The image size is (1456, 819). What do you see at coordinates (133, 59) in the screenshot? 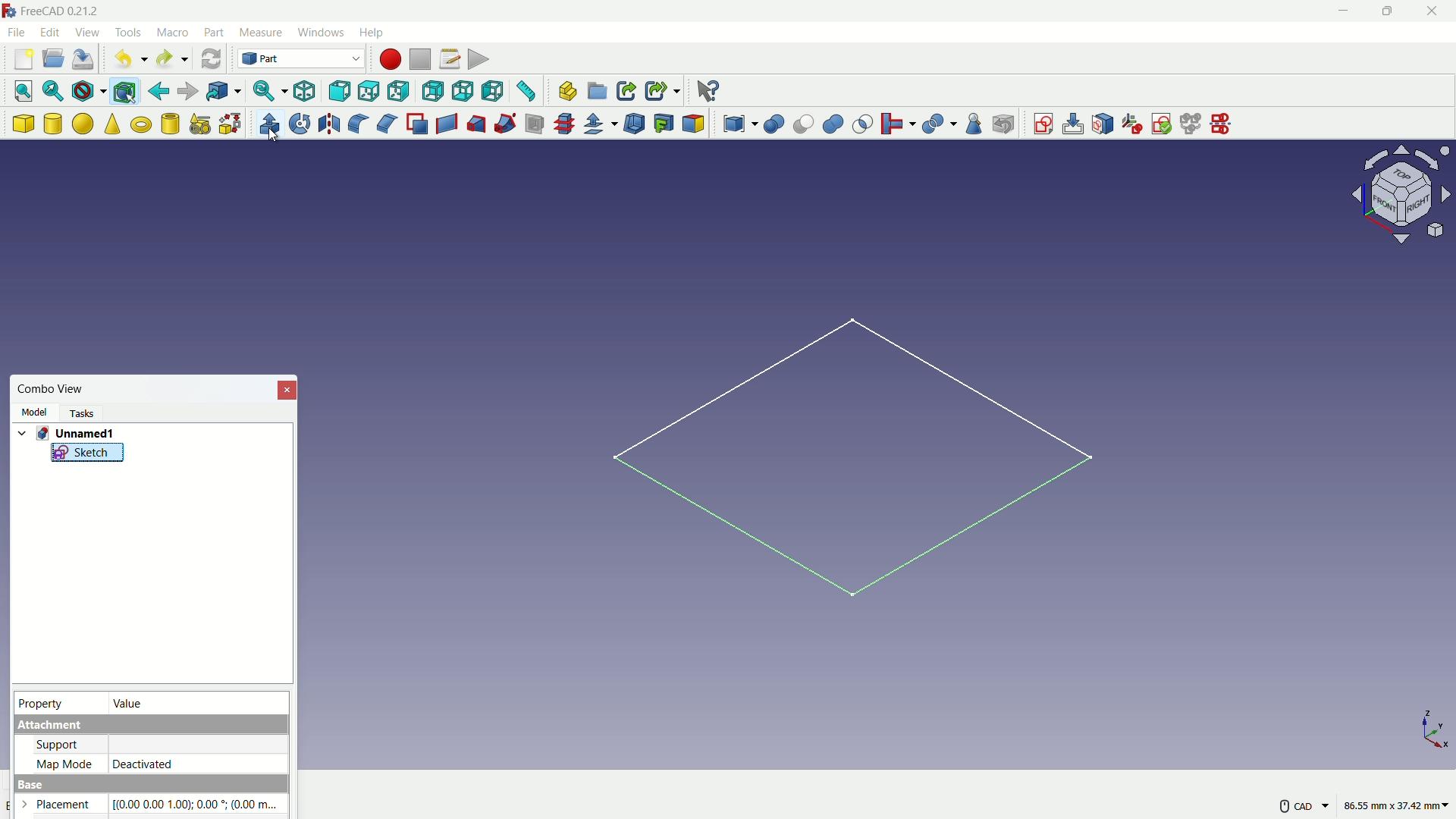
I see `undo` at bounding box center [133, 59].